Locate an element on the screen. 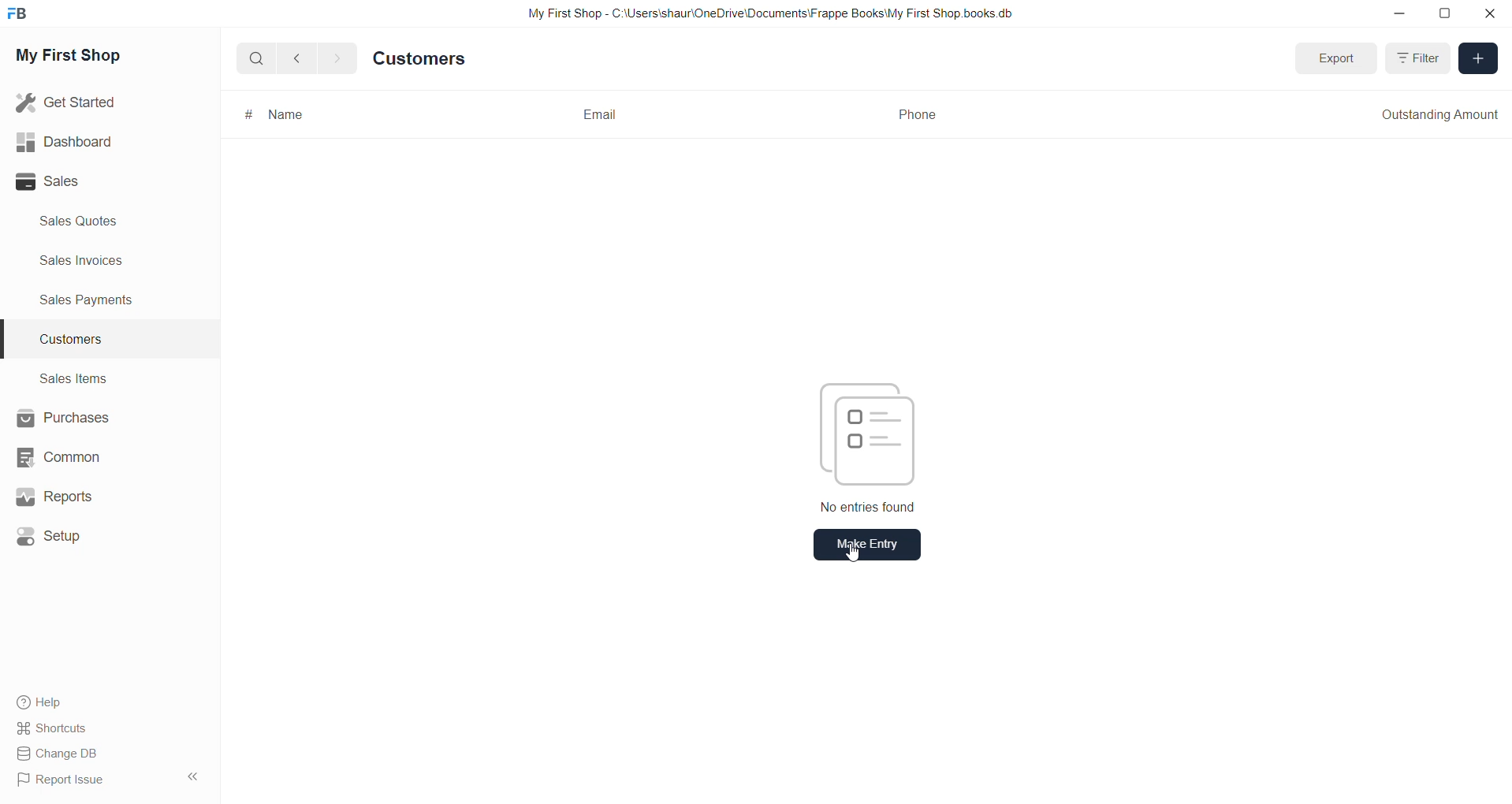 This screenshot has width=1512, height=804. customers is located at coordinates (83, 341).